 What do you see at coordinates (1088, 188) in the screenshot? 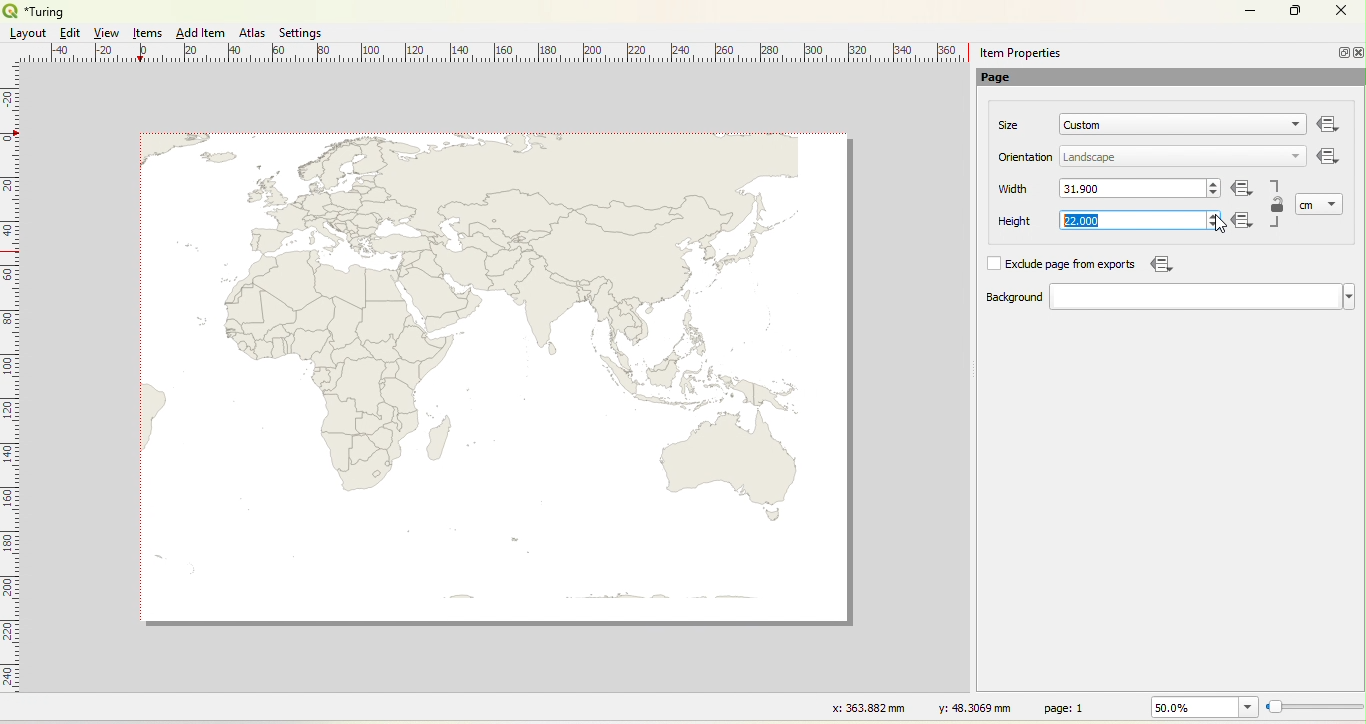
I see `31.900` at bounding box center [1088, 188].